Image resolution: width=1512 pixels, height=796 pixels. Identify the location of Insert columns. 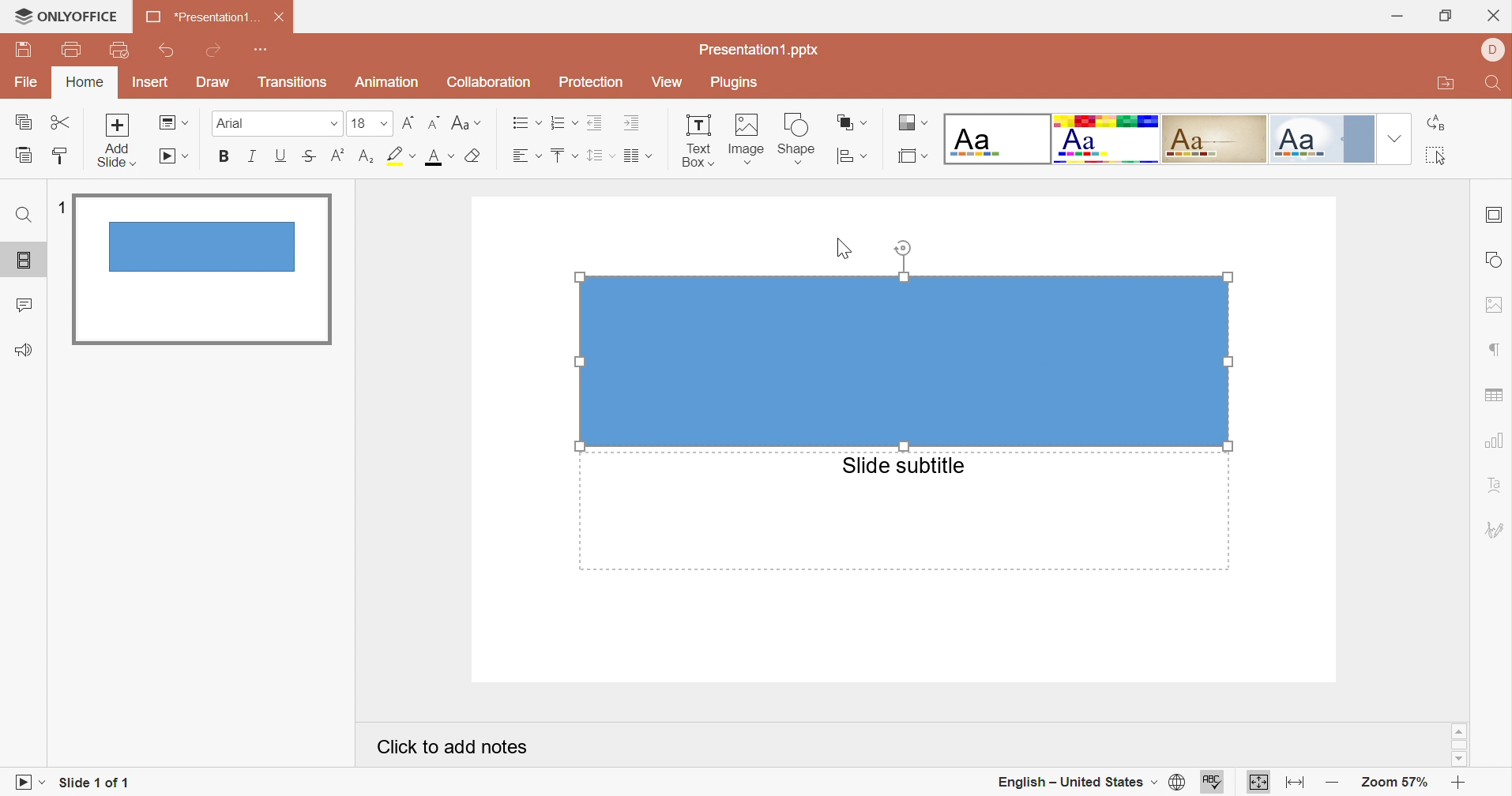
(639, 156).